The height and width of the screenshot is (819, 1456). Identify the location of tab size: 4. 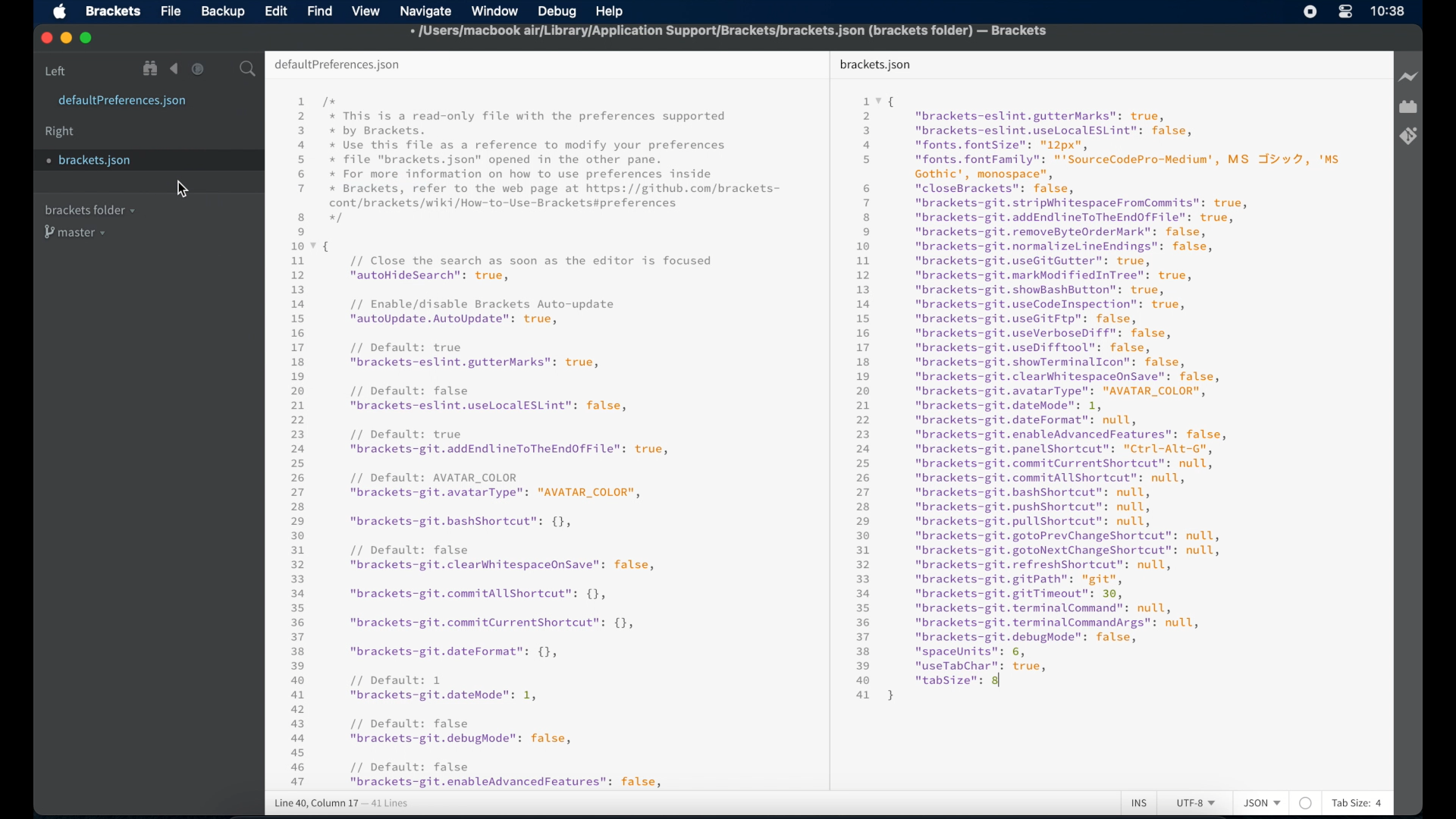
(1357, 802).